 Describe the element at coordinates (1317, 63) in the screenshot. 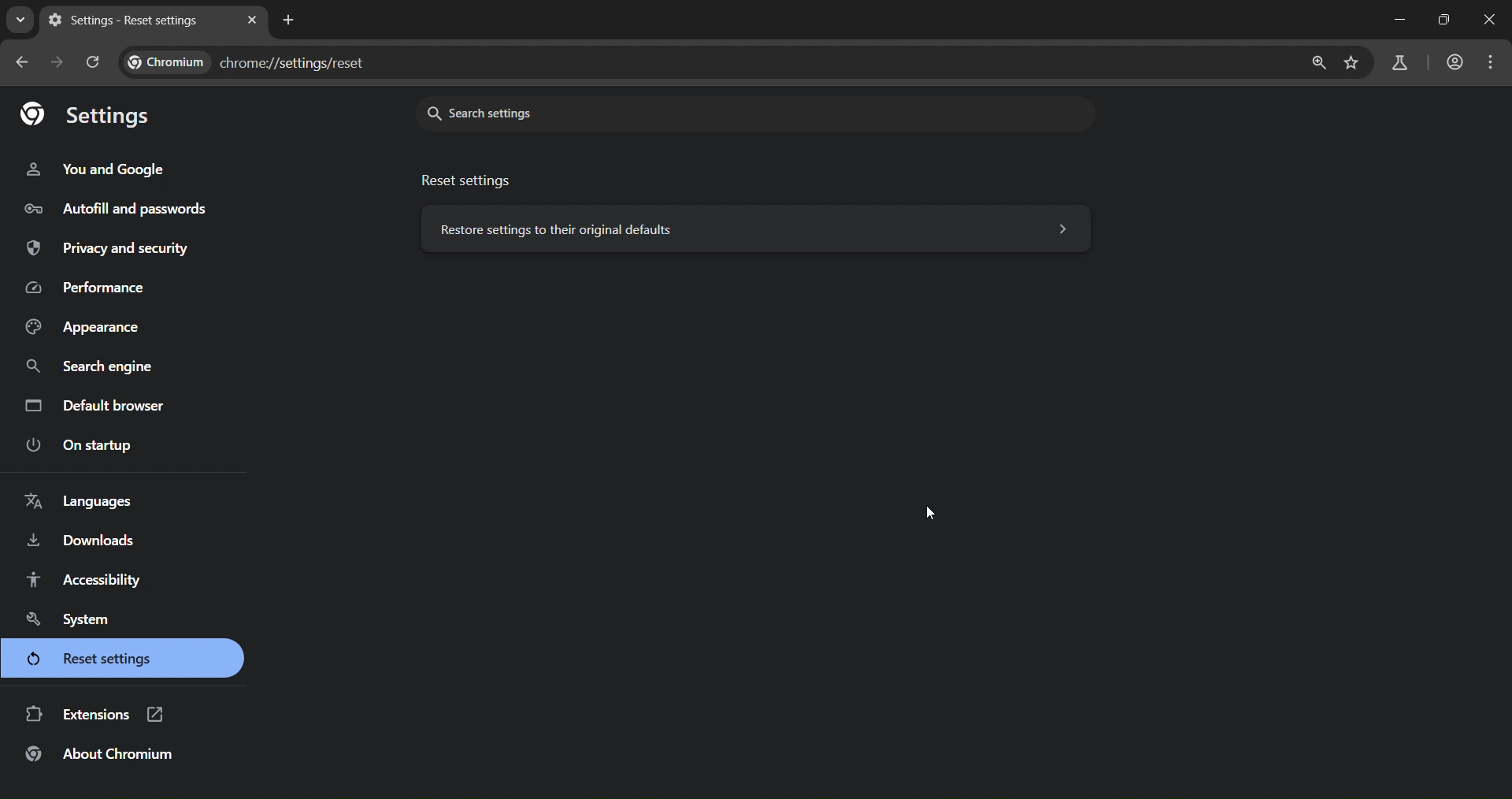

I see `zoom` at that location.